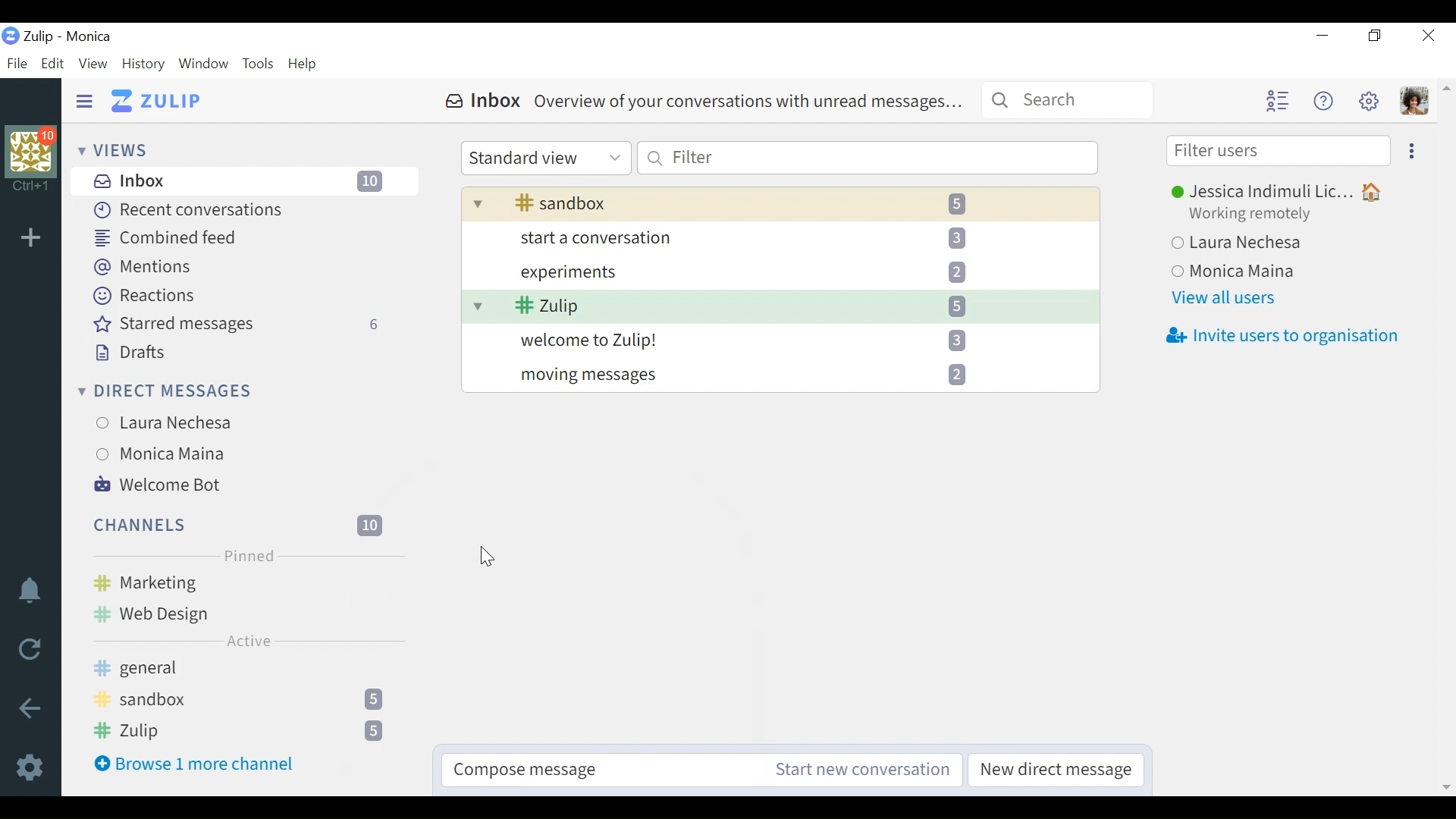 The height and width of the screenshot is (819, 1456). Describe the element at coordinates (240, 732) in the screenshot. I see `Zulip 5` at that location.